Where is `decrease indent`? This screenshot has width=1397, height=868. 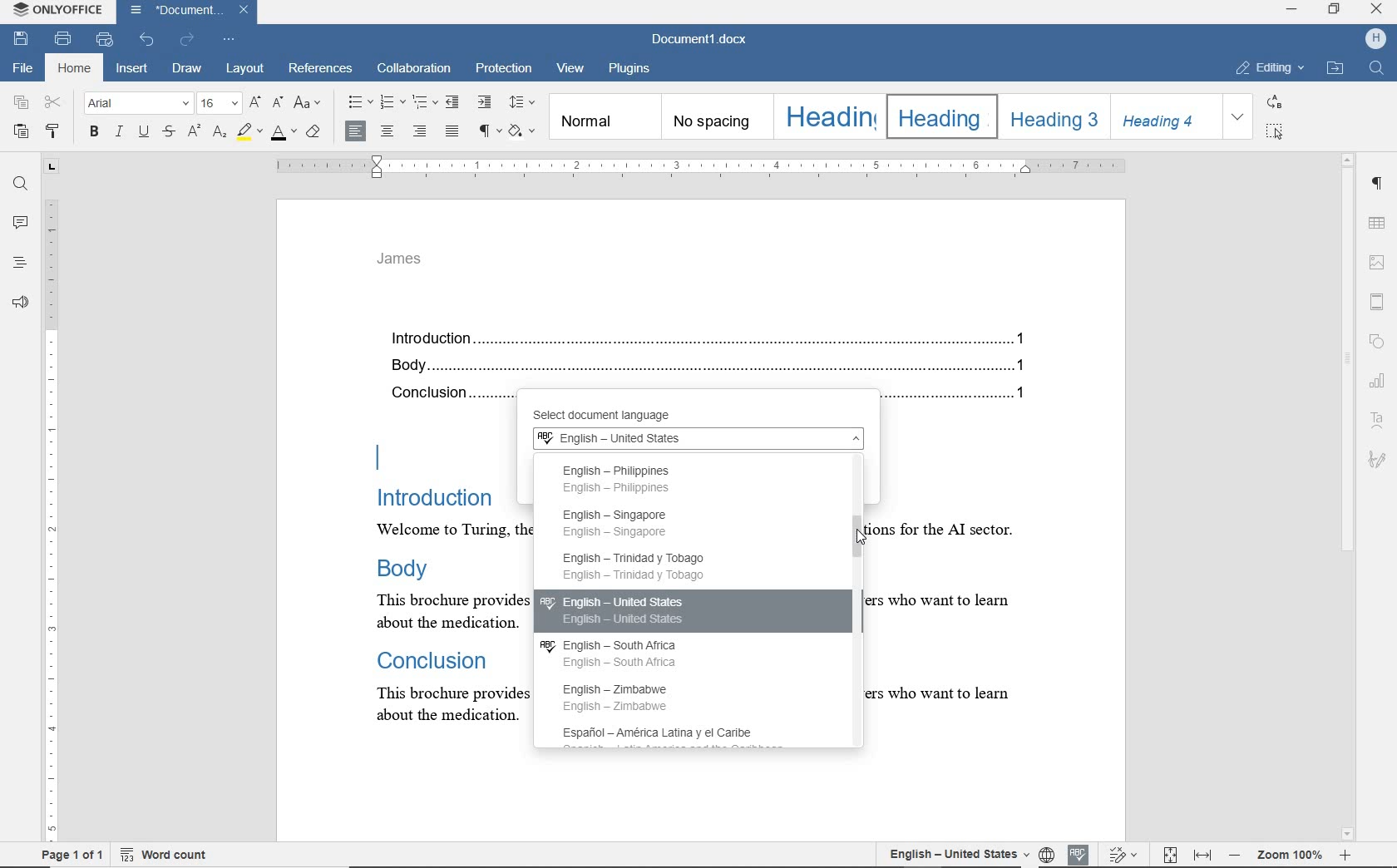 decrease indent is located at coordinates (454, 101).